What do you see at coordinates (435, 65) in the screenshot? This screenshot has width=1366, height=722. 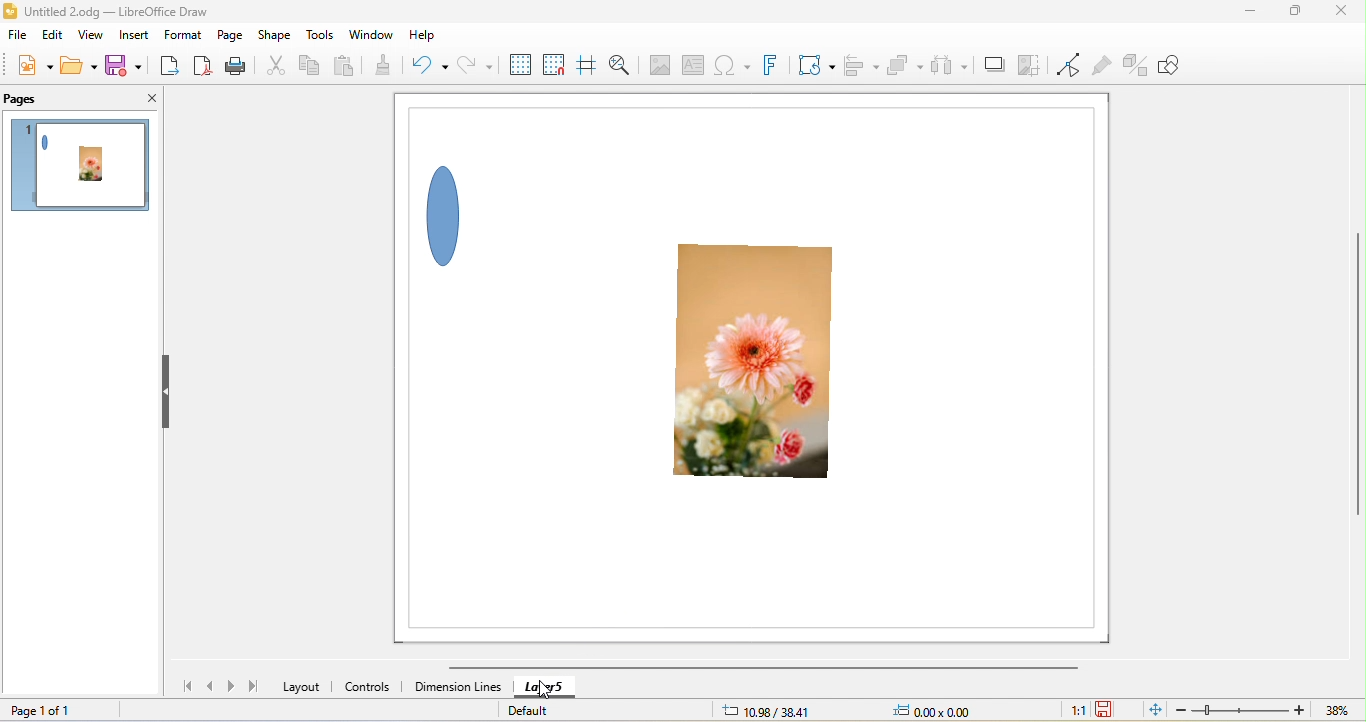 I see `undo` at bounding box center [435, 65].